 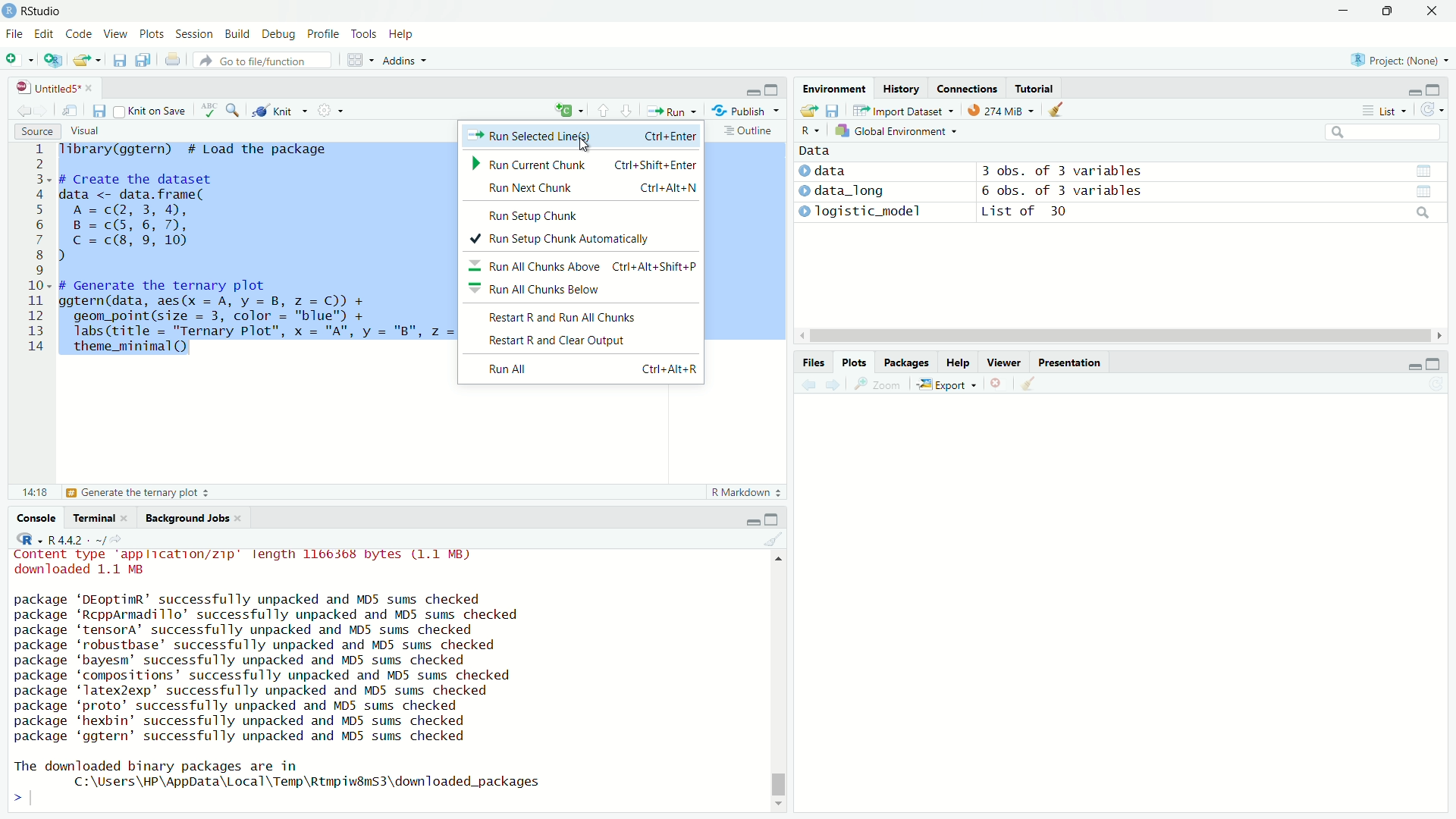 I want to click on Run Setup Chunk, so click(x=546, y=214).